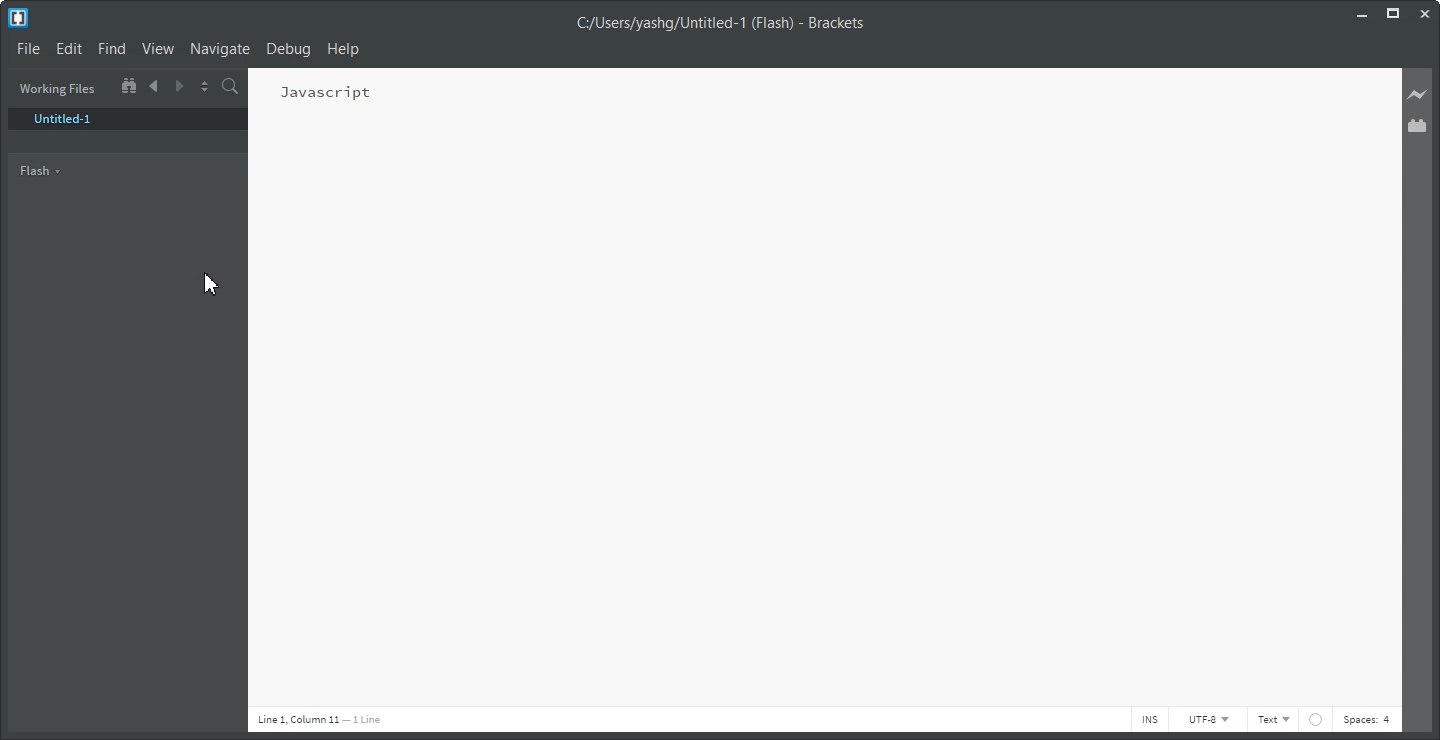 The width and height of the screenshot is (1440, 740). I want to click on File, so click(29, 49).